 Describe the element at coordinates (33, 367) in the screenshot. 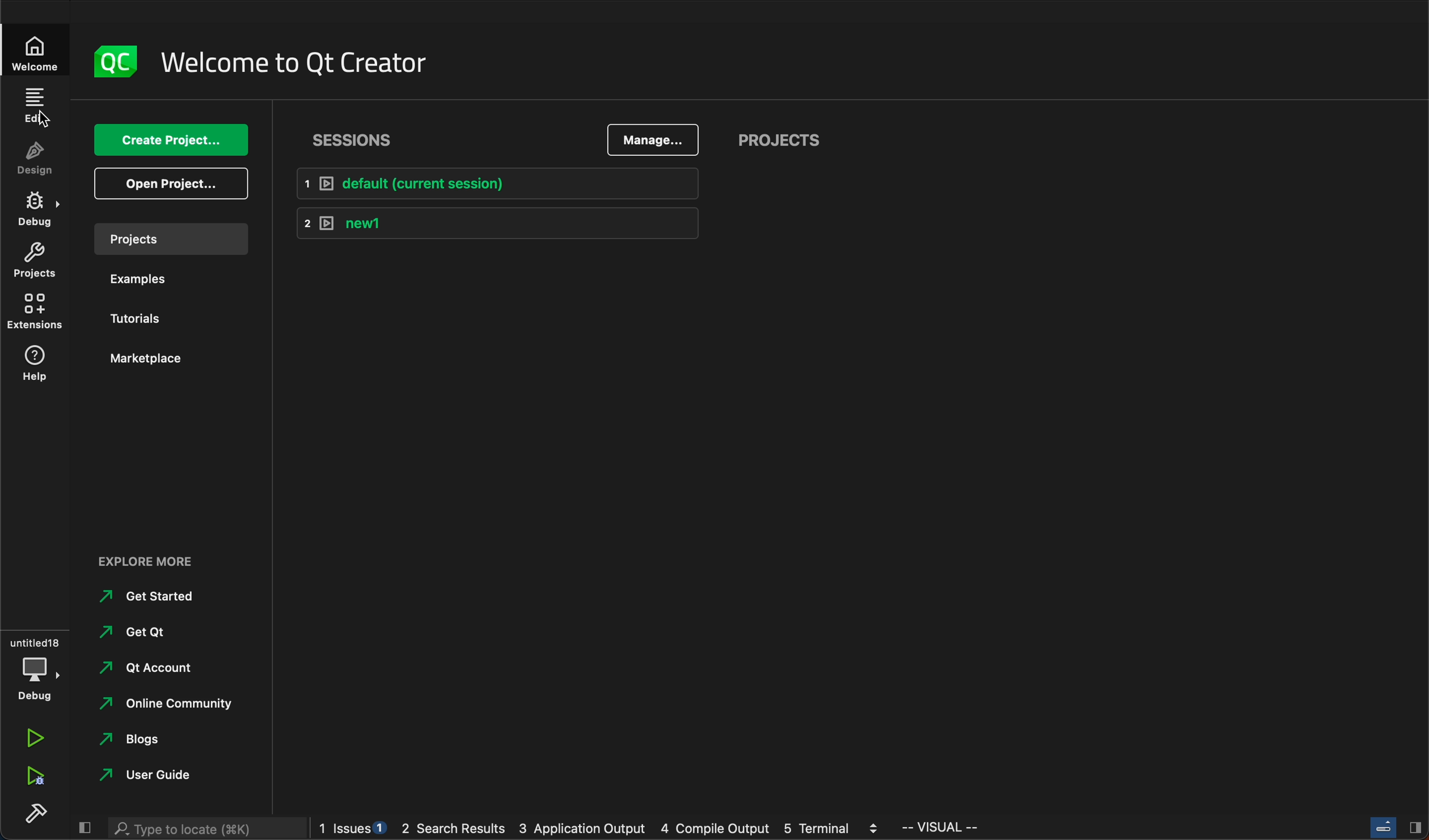

I see `help` at that location.